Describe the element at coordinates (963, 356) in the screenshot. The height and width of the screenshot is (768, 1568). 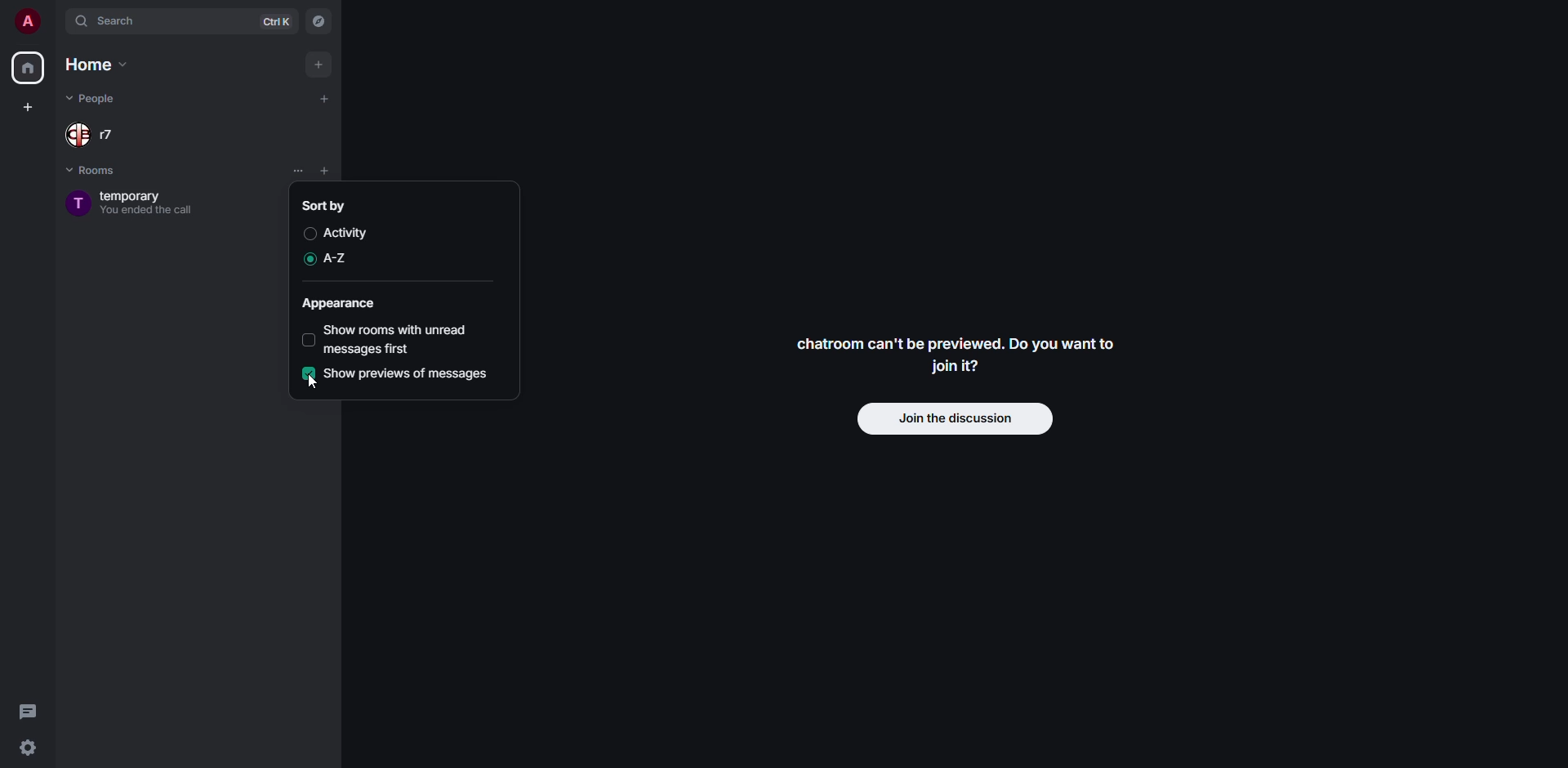
I see `chatroom can't be previewed. Do you want to join it?` at that location.